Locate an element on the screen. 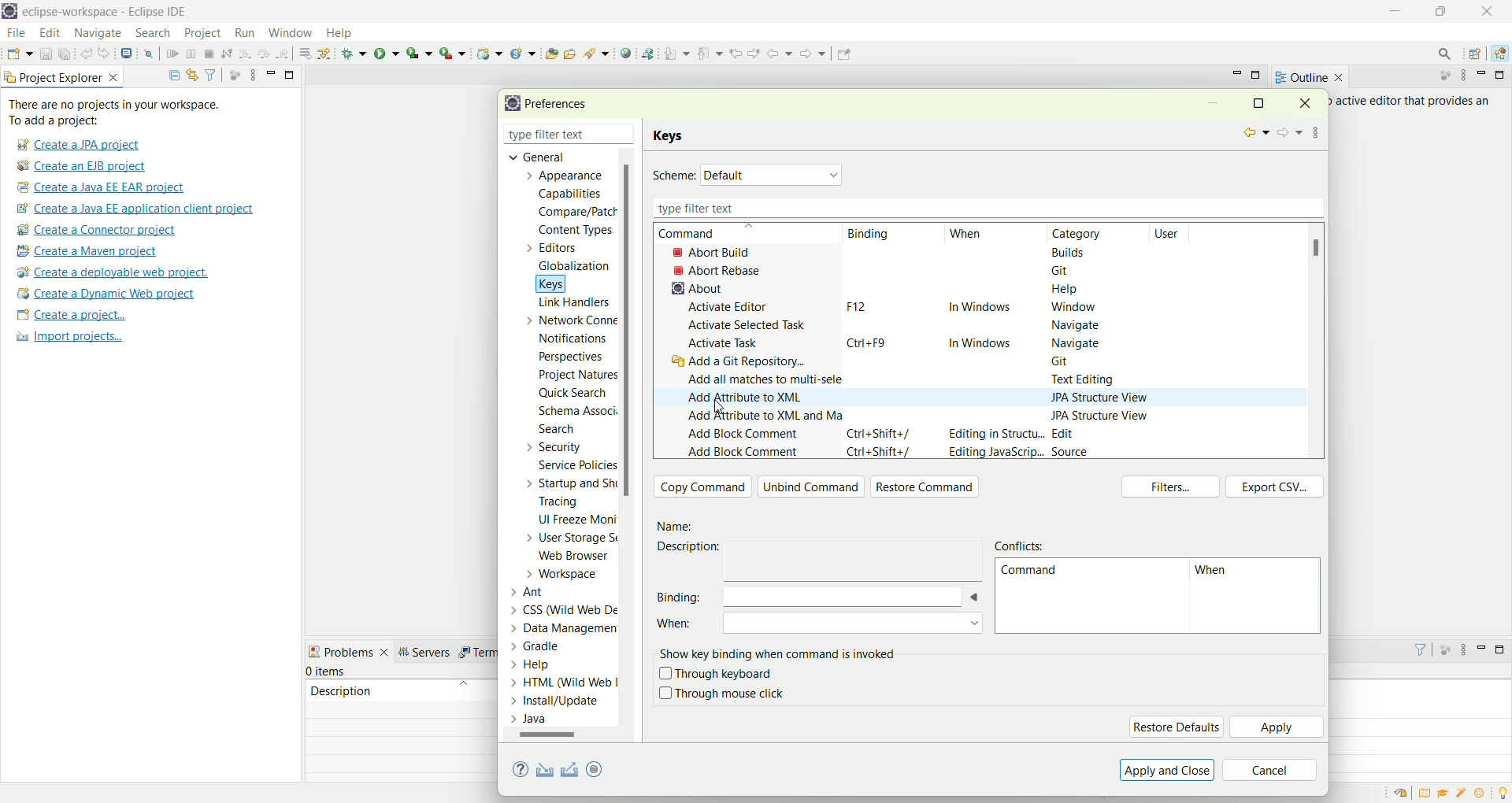  add attribute to XML and map is located at coordinates (762, 420).